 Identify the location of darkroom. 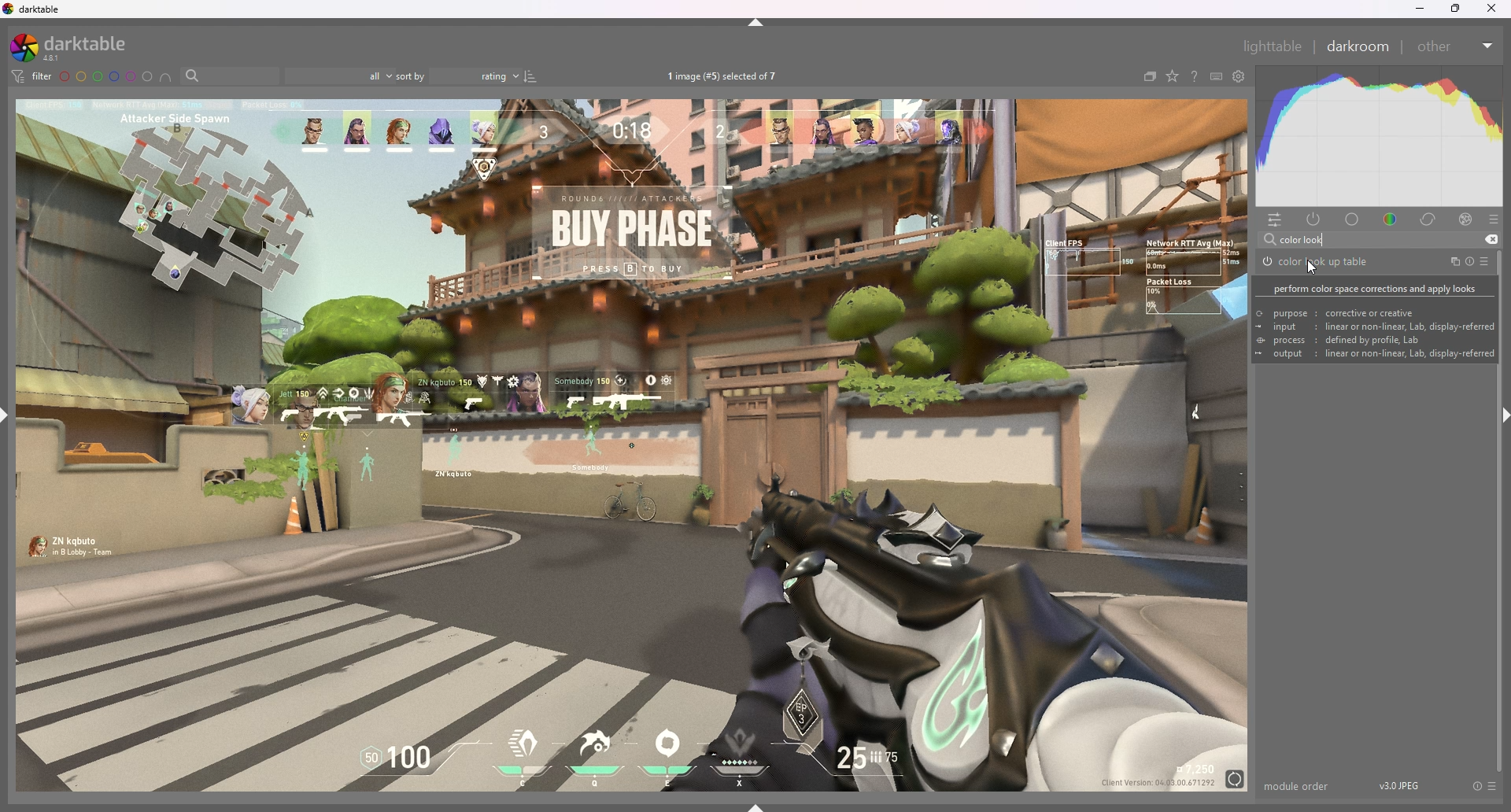
(1358, 45).